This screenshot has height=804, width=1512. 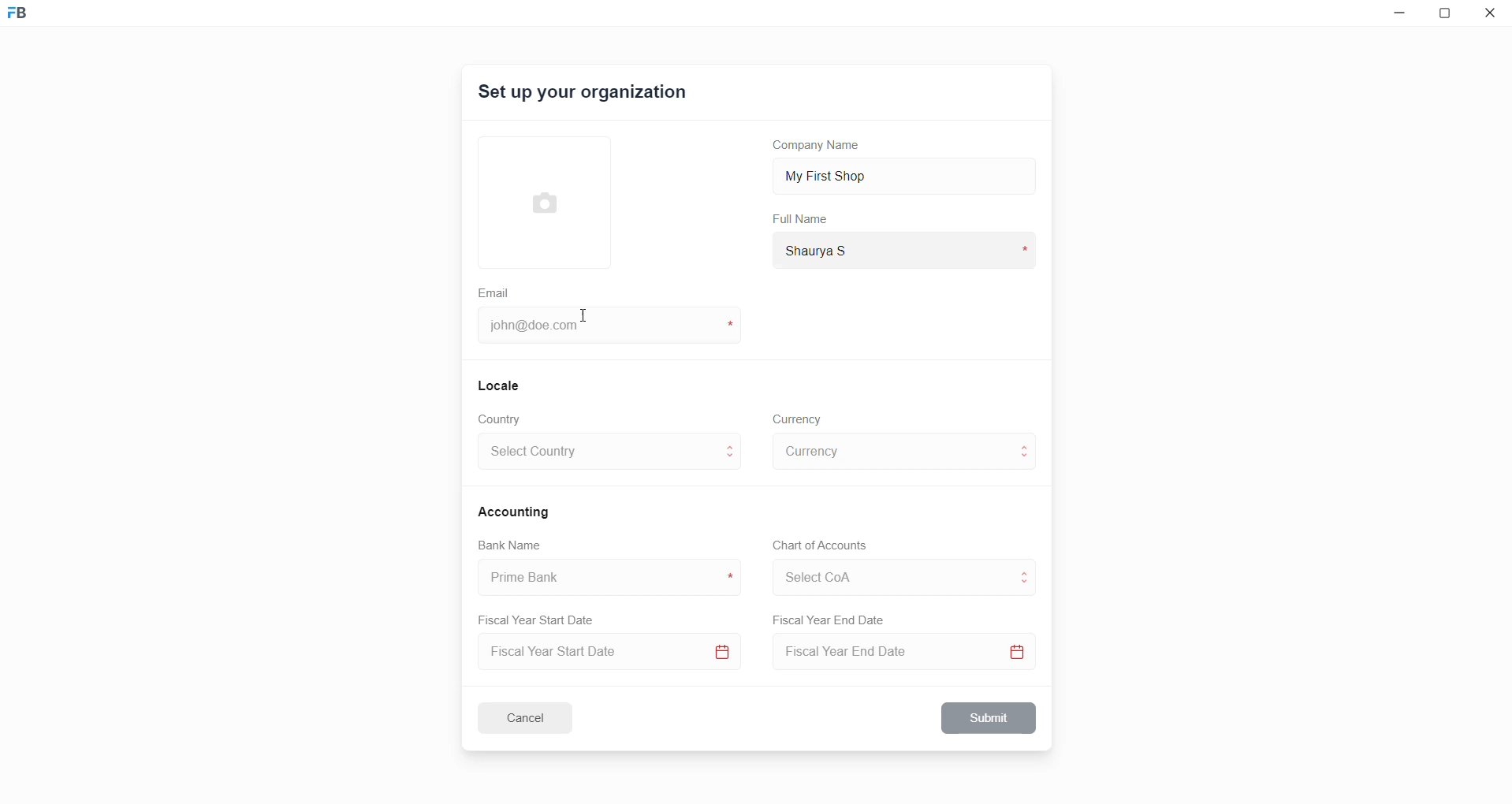 What do you see at coordinates (1026, 585) in the screenshot?
I see `move to below CoA` at bounding box center [1026, 585].